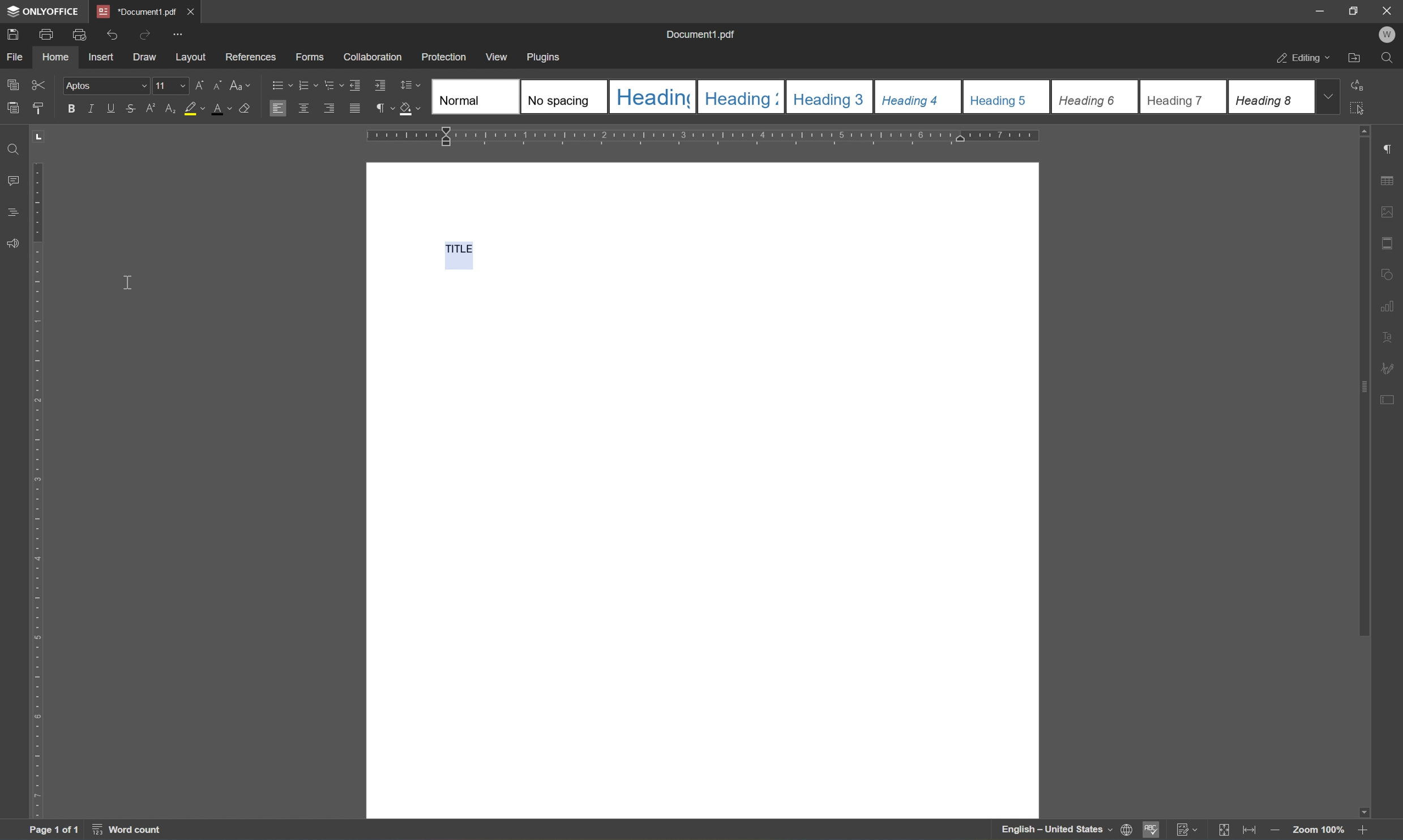 Image resolution: width=1403 pixels, height=840 pixels. What do you see at coordinates (40, 106) in the screenshot?
I see `copy style` at bounding box center [40, 106].